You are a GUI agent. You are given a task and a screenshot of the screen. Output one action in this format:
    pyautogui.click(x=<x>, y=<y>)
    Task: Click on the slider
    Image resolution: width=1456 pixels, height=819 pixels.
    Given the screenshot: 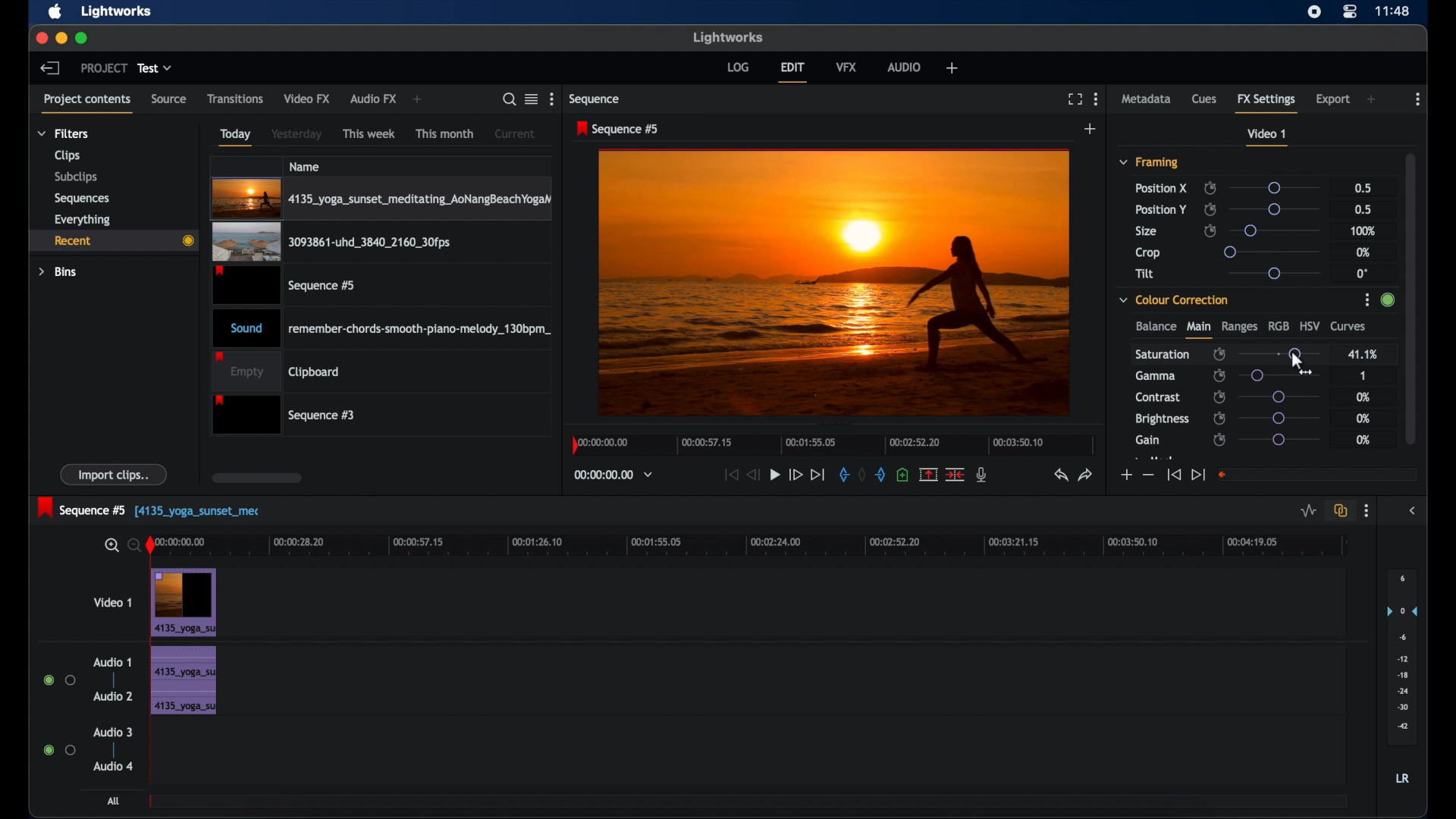 What is the action you would take?
    pyautogui.click(x=1273, y=187)
    